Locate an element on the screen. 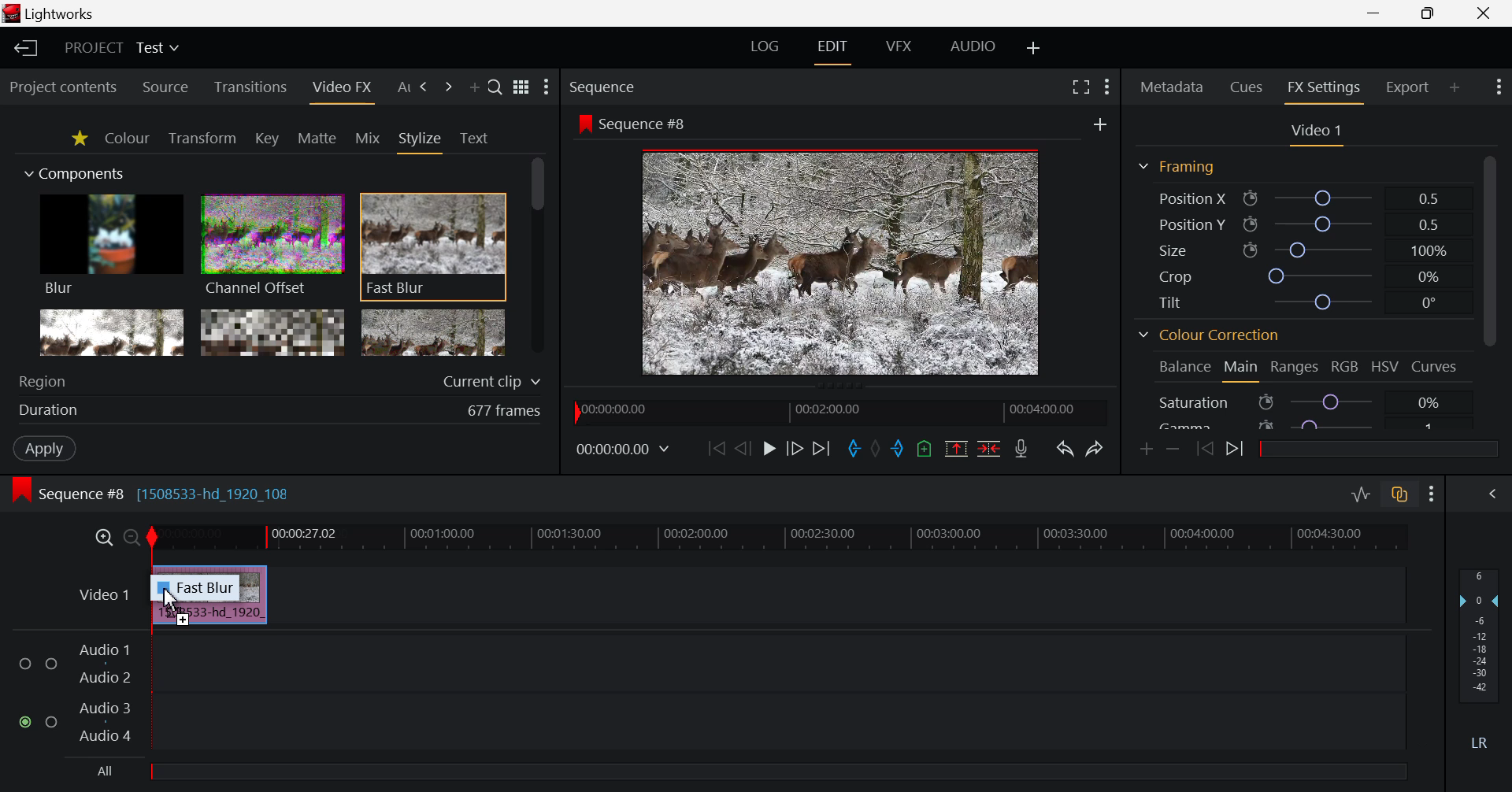 This screenshot has width=1512, height=792. Mark Cue is located at coordinates (925, 449).